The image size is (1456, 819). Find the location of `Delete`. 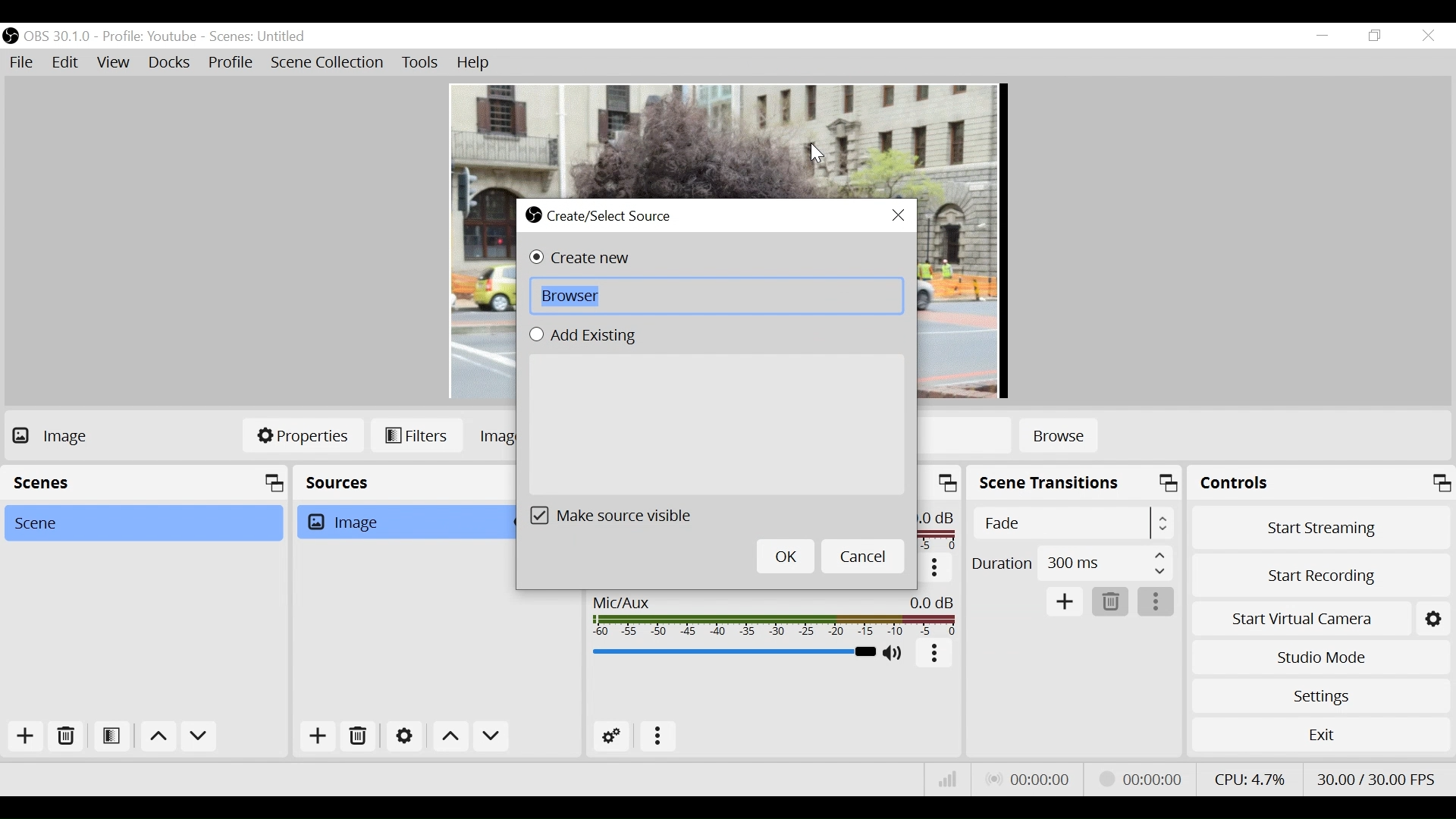

Delete is located at coordinates (1109, 602).